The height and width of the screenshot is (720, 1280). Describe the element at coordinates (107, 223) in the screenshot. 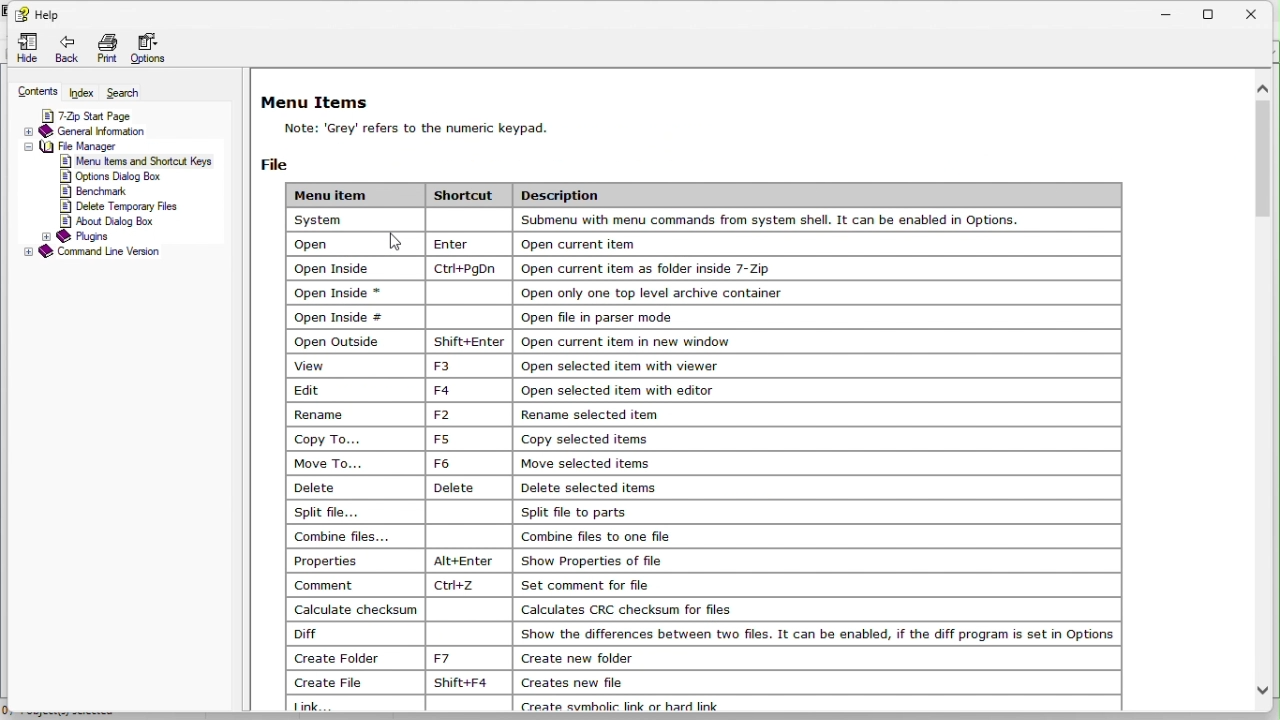

I see `about dialog box` at that location.